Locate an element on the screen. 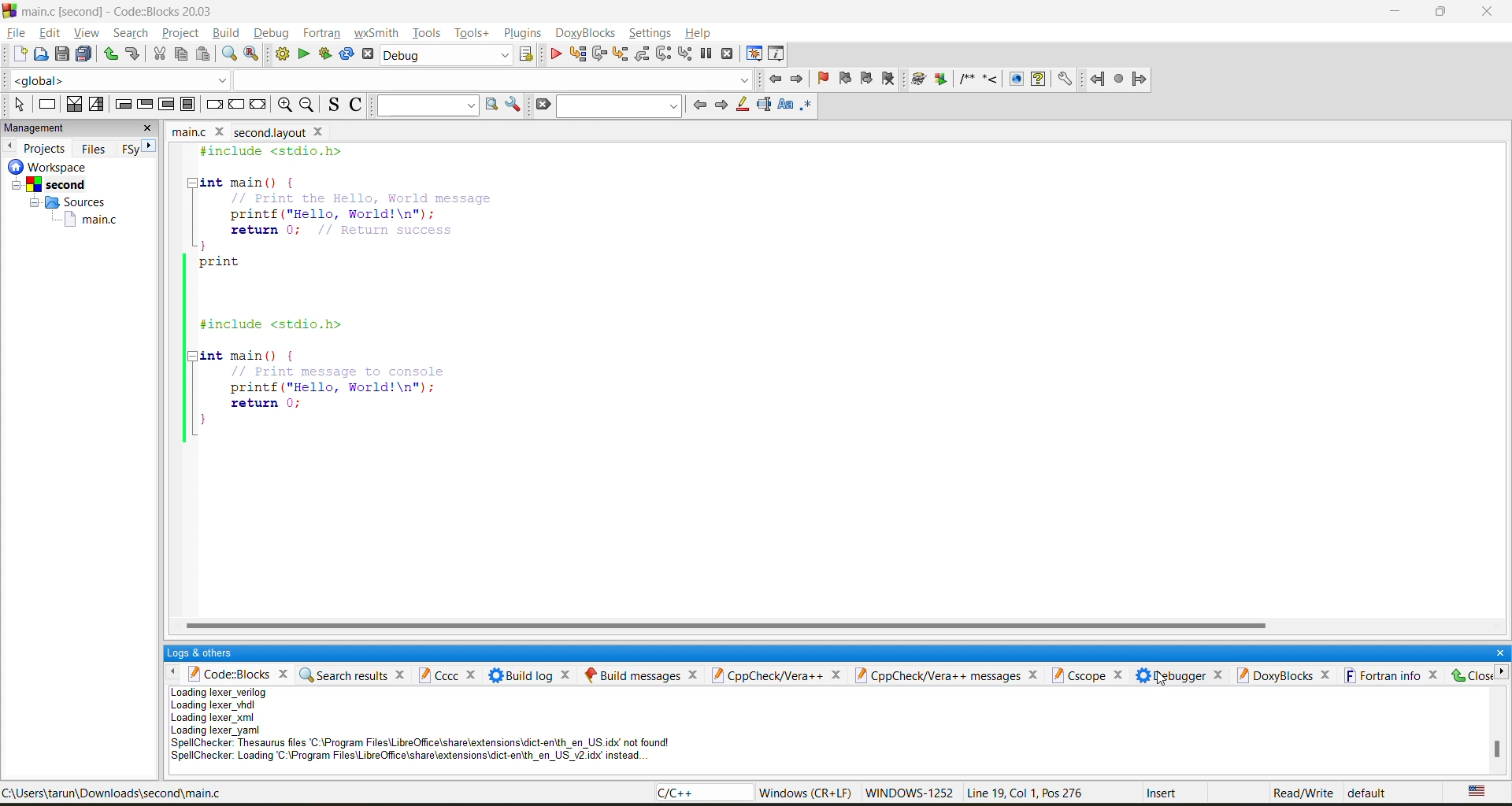 The image size is (1512, 806). cccc is located at coordinates (447, 674).